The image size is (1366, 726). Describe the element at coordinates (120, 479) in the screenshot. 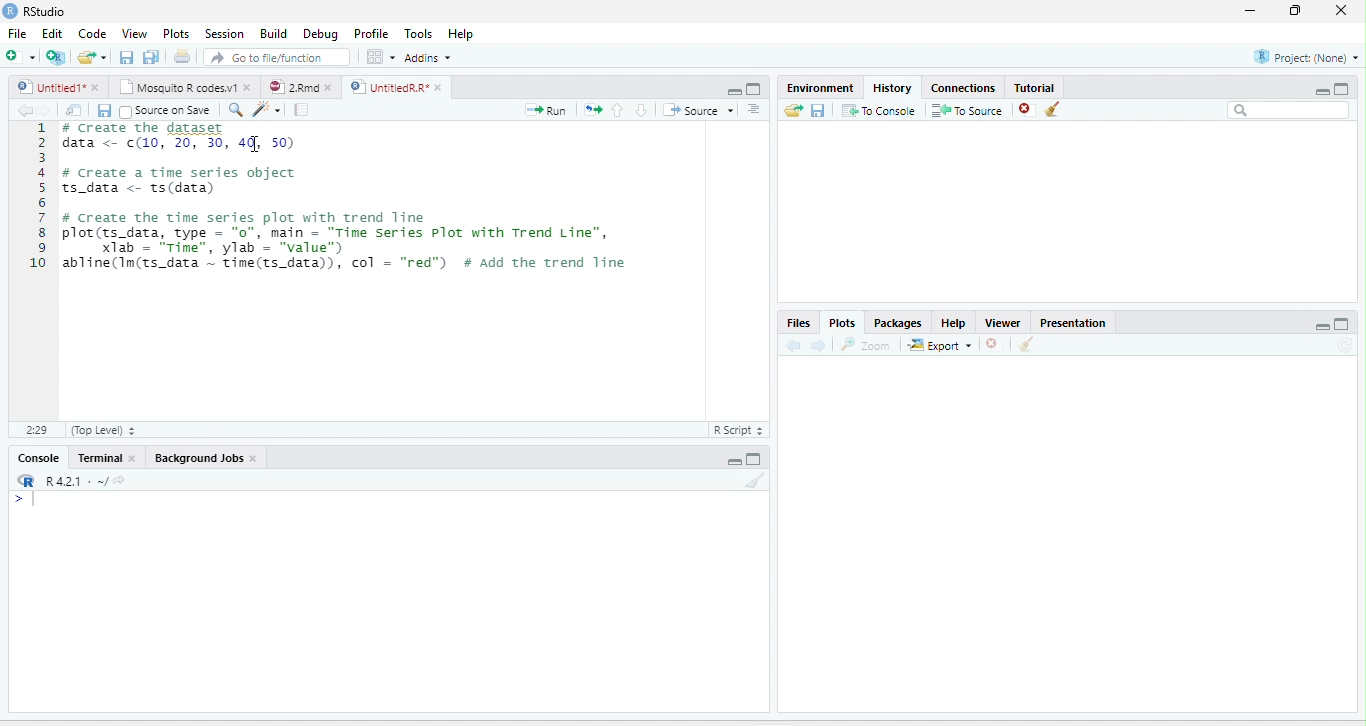

I see `View the current working directory` at that location.